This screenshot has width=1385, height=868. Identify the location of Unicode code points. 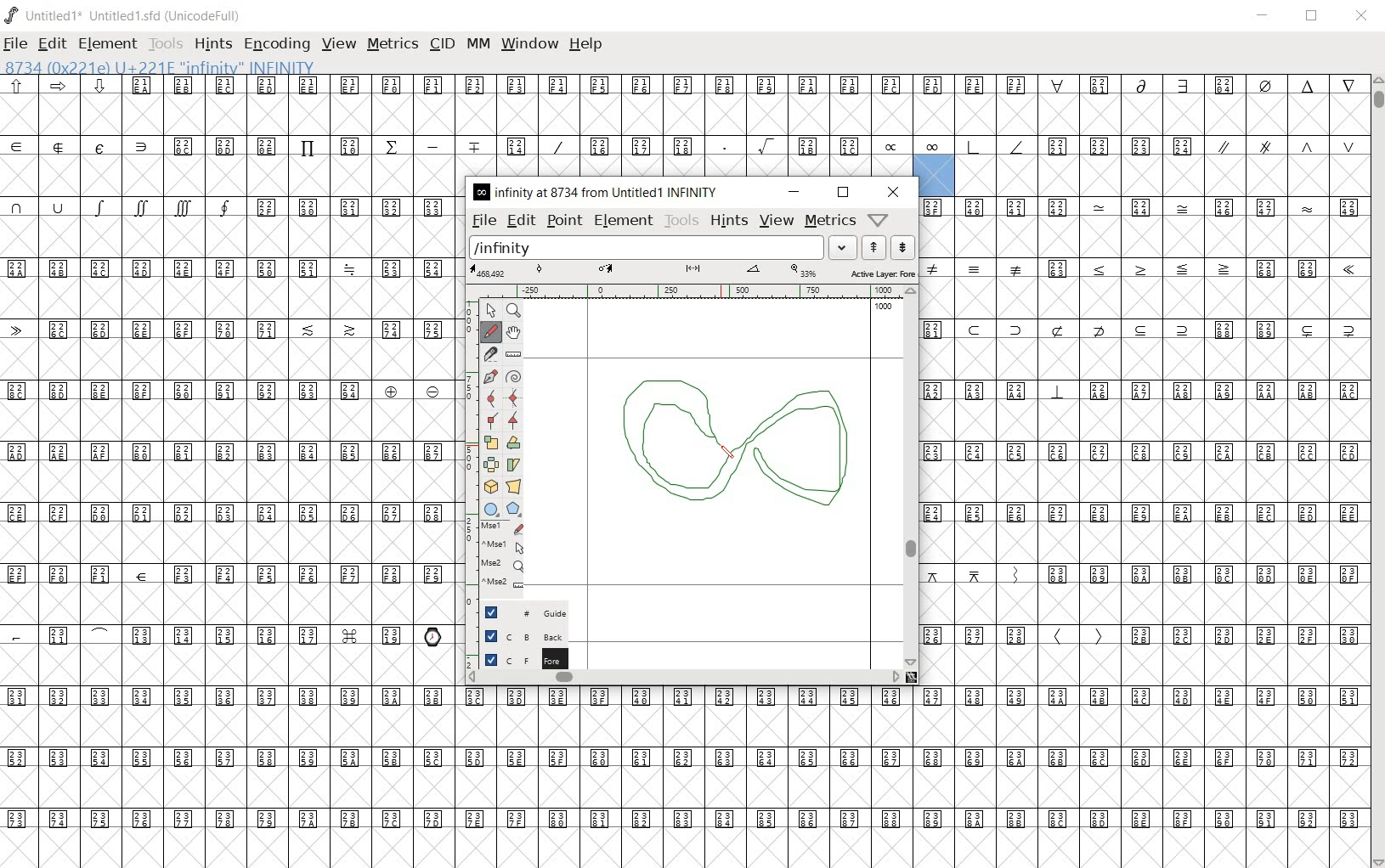
(235, 573).